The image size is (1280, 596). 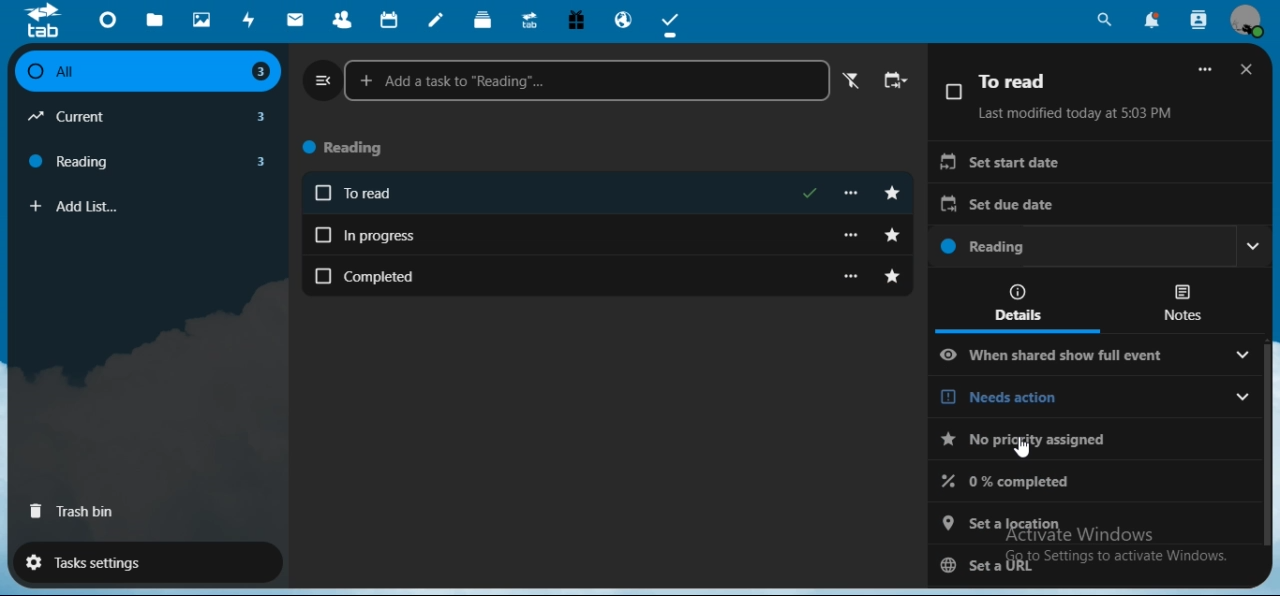 What do you see at coordinates (1207, 69) in the screenshot?
I see `More` at bounding box center [1207, 69].